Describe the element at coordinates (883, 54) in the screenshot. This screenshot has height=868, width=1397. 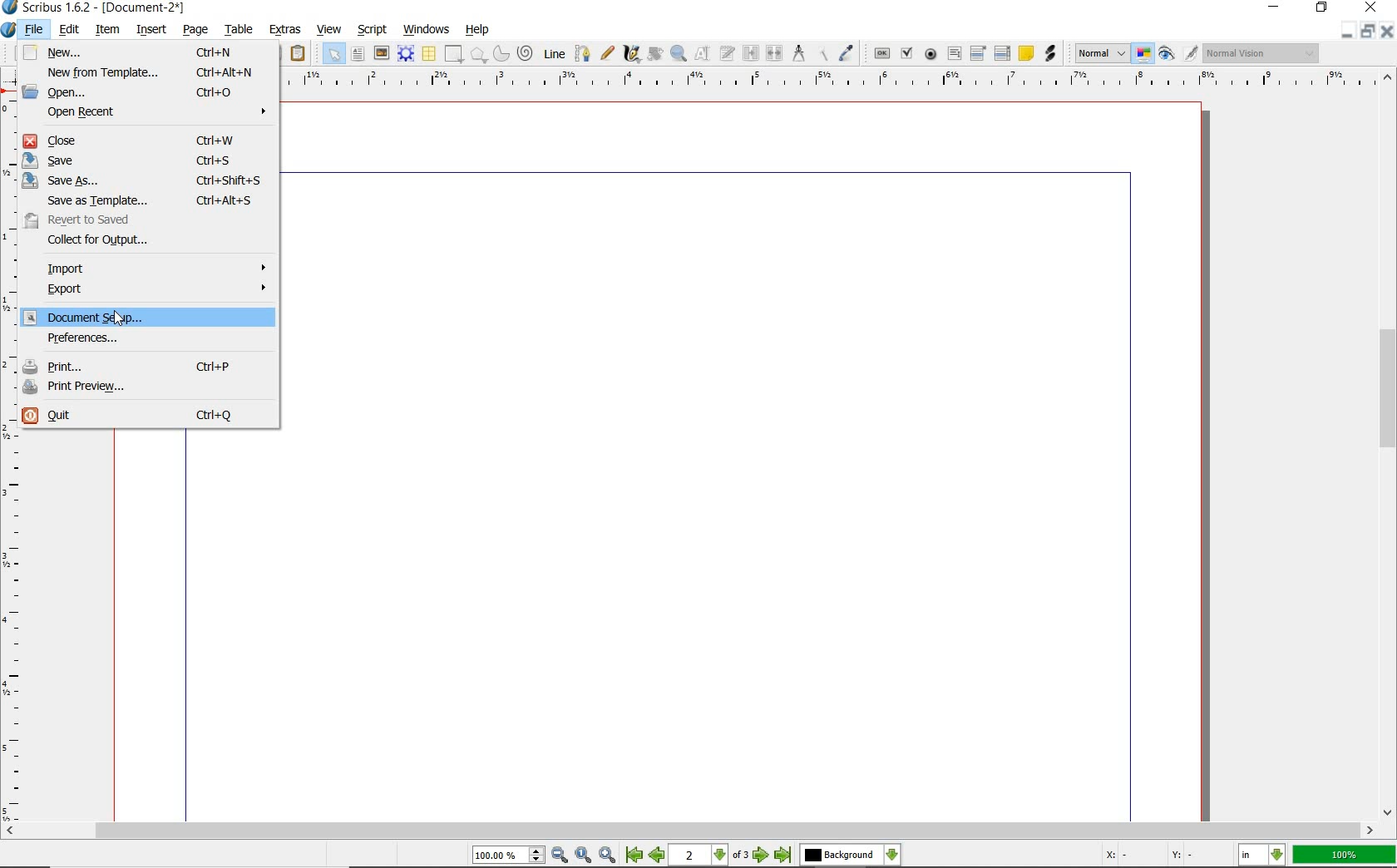
I see `pdf push button` at that location.